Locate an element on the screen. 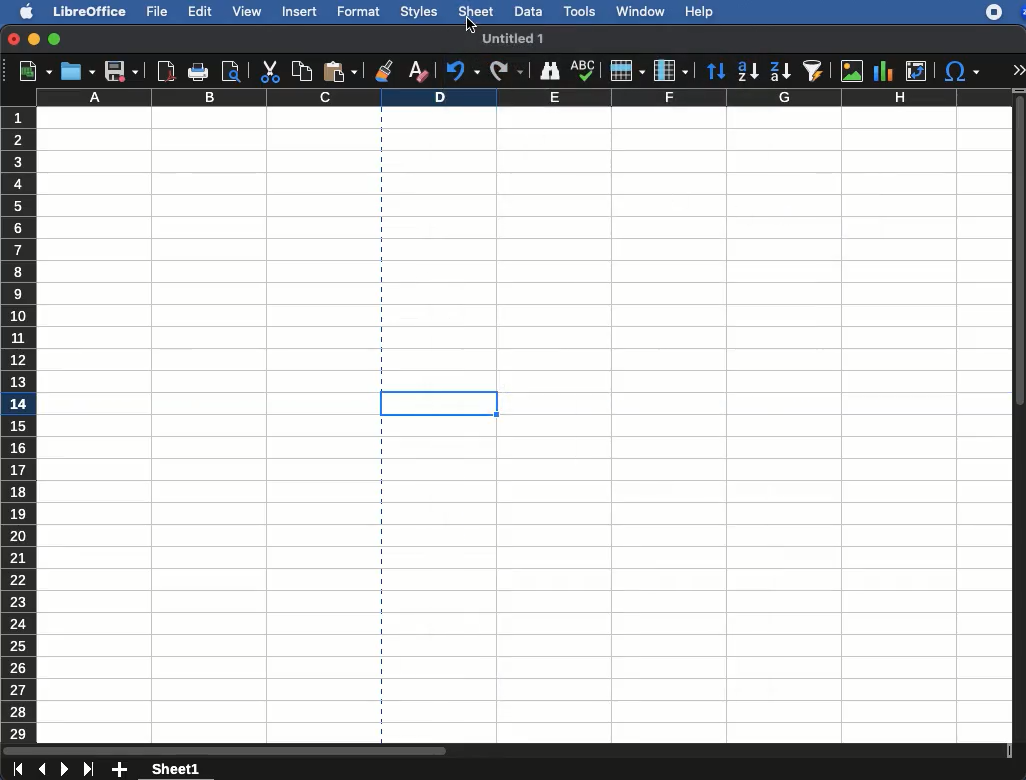  styles is located at coordinates (420, 11).